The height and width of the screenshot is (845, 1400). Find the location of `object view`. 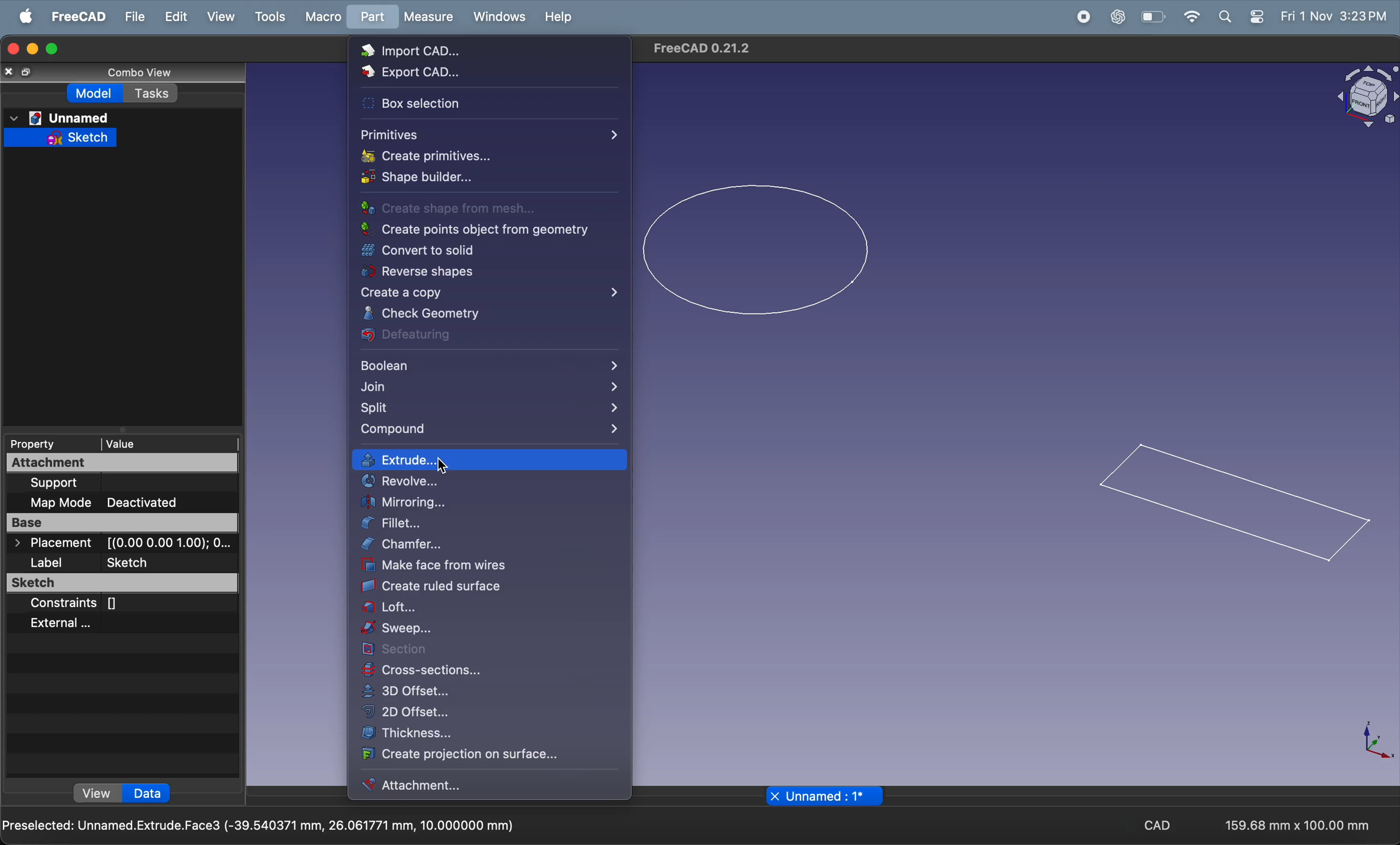

object view is located at coordinates (1366, 95).